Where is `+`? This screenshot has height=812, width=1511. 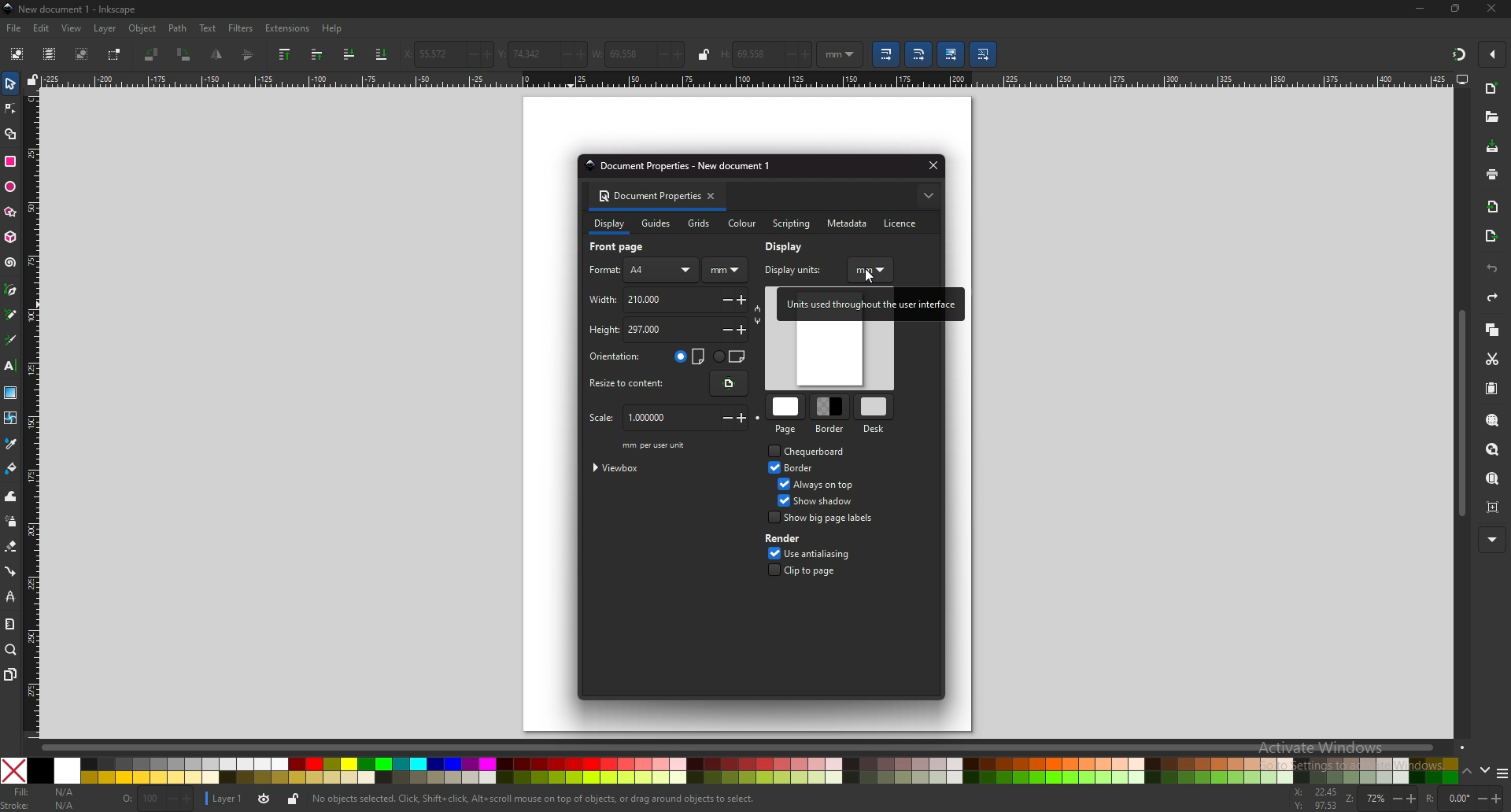 + is located at coordinates (744, 330).